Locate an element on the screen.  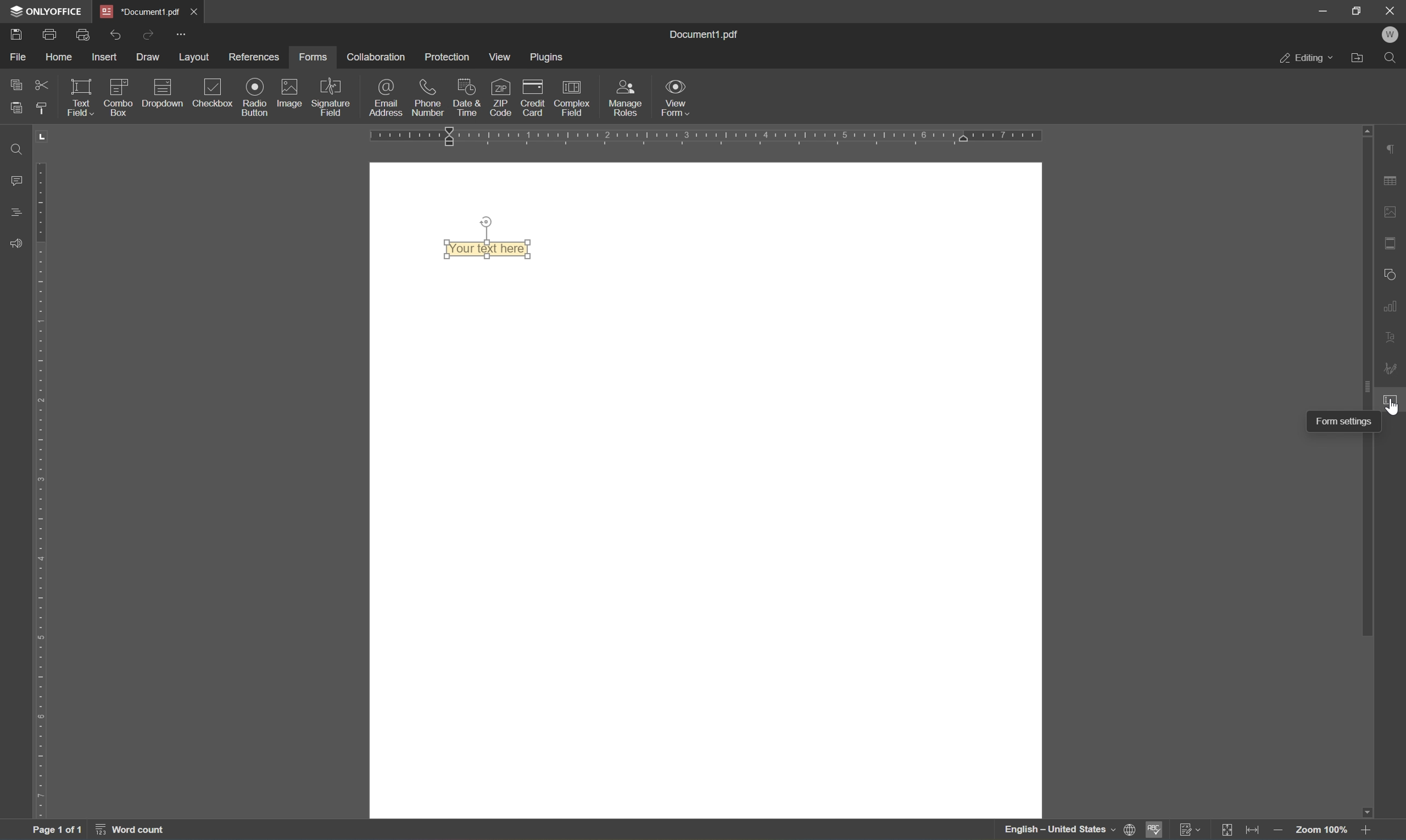
credit card is located at coordinates (531, 101).